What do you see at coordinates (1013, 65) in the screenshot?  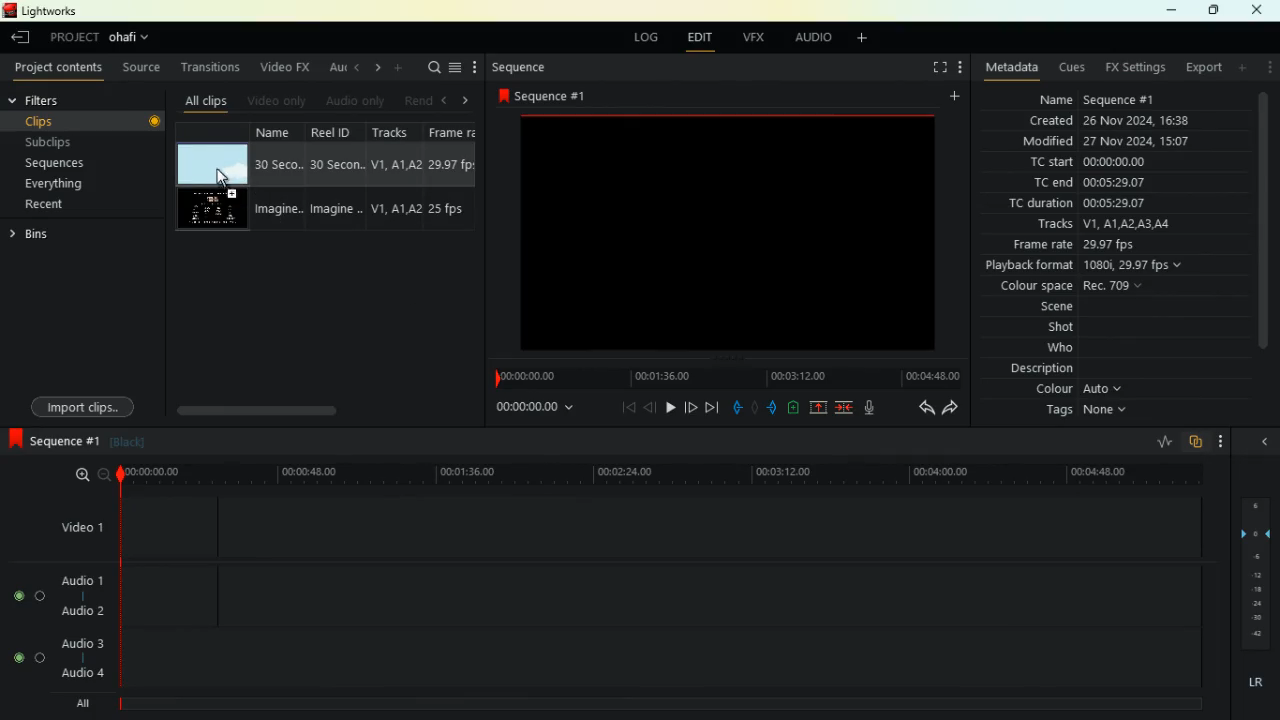 I see `metadata` at bounding box center [1013, 65].